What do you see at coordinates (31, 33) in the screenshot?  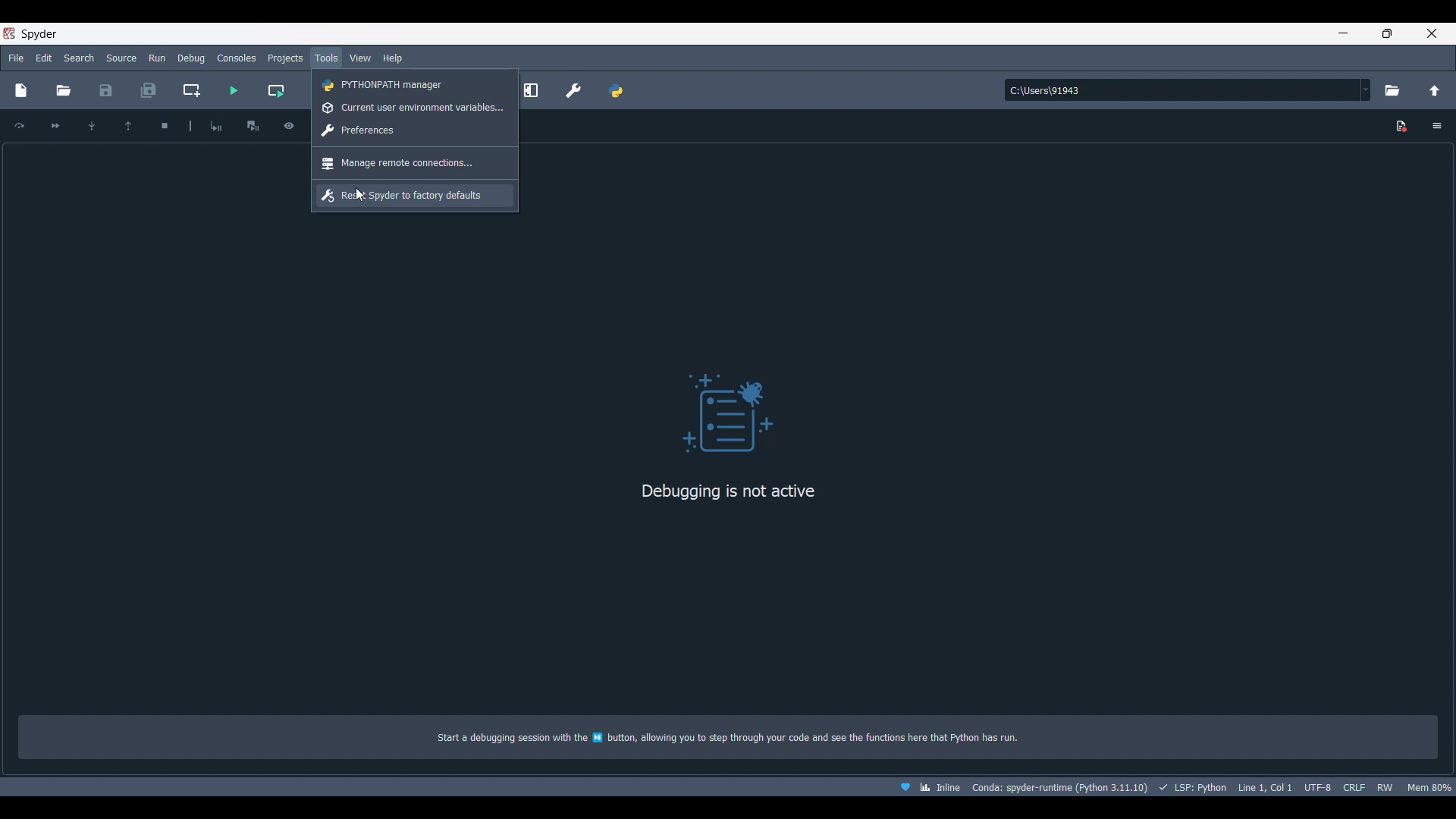 I see `Software logo and name` at bounding box center [31, 33].